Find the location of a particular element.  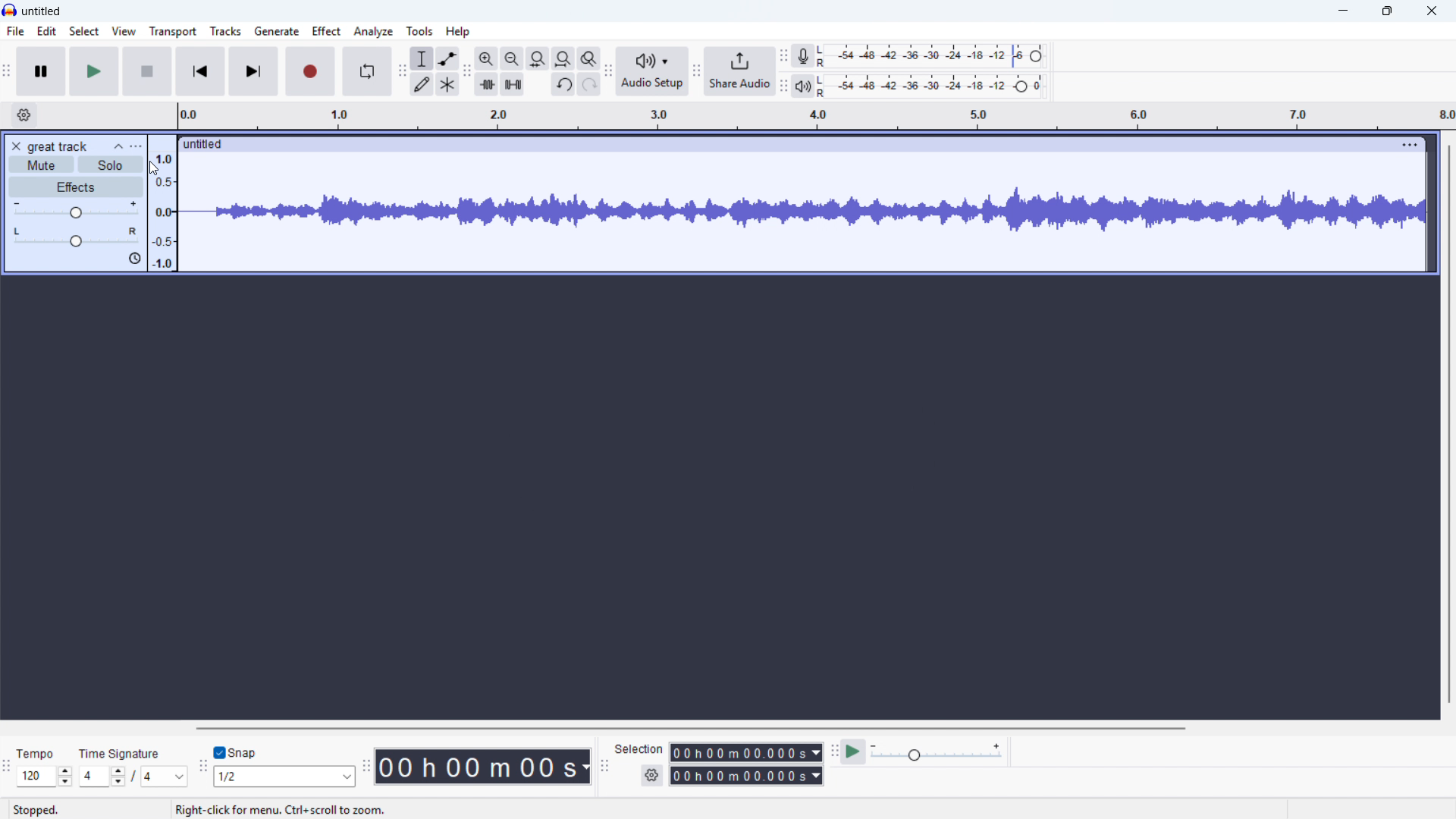

help  is located at coordinates (457, 32).